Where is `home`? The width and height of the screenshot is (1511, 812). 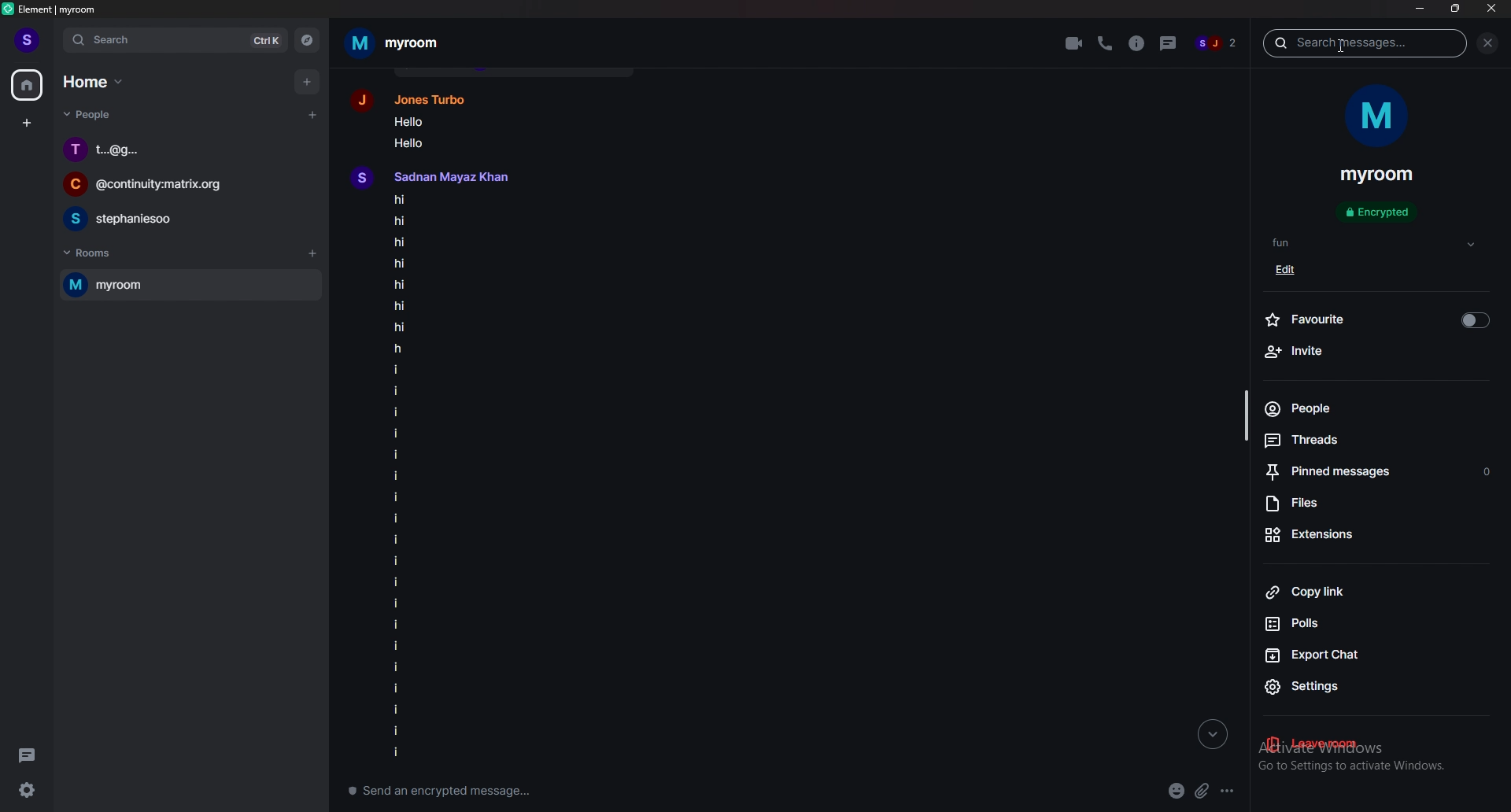
home is located at coordinates (97, 82).